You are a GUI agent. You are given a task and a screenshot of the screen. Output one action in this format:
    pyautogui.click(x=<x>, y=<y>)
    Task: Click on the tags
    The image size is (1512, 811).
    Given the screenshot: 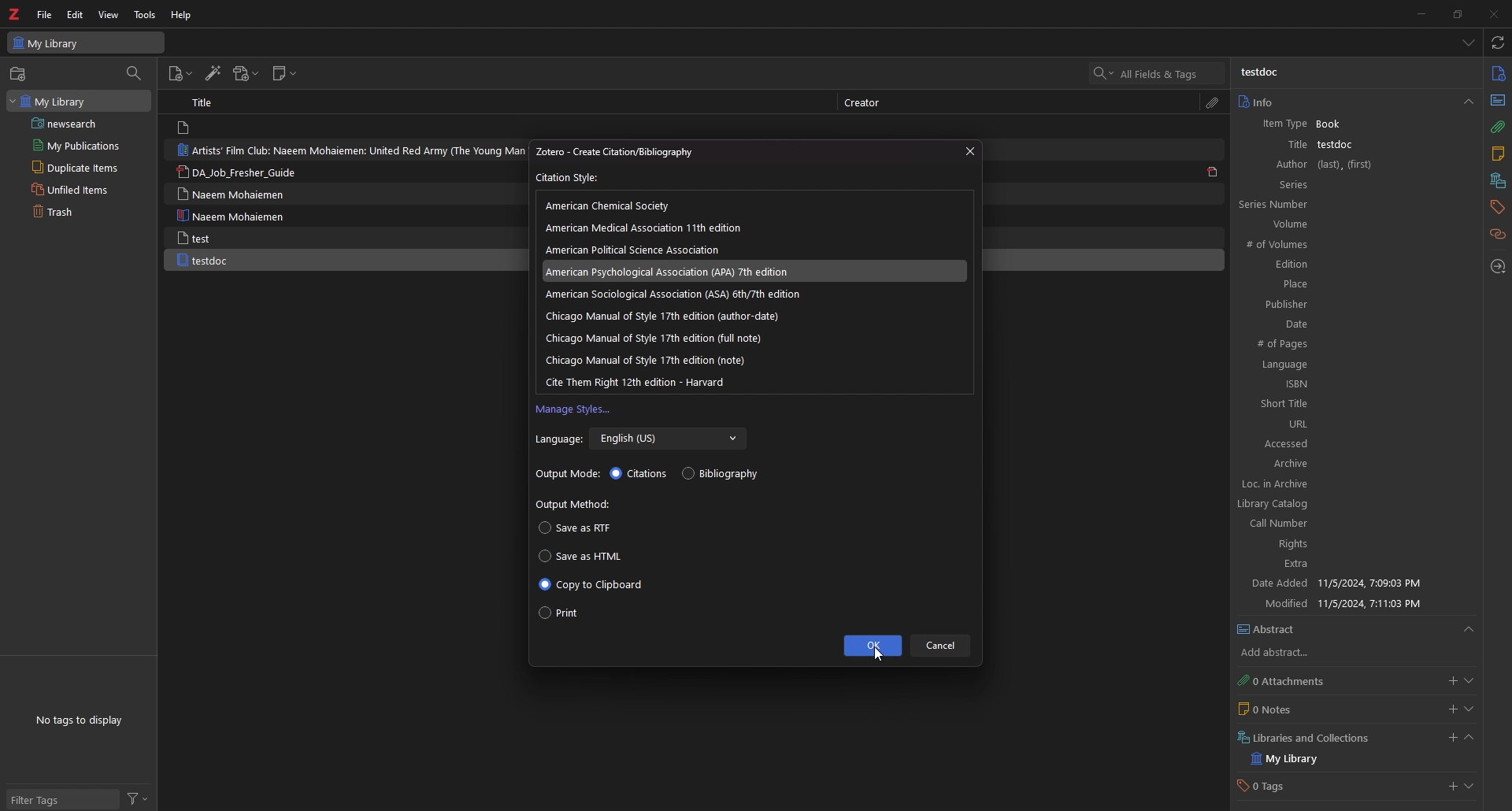 What is the action you would take?
    pyautogui.click(x=1496, y=207)
    